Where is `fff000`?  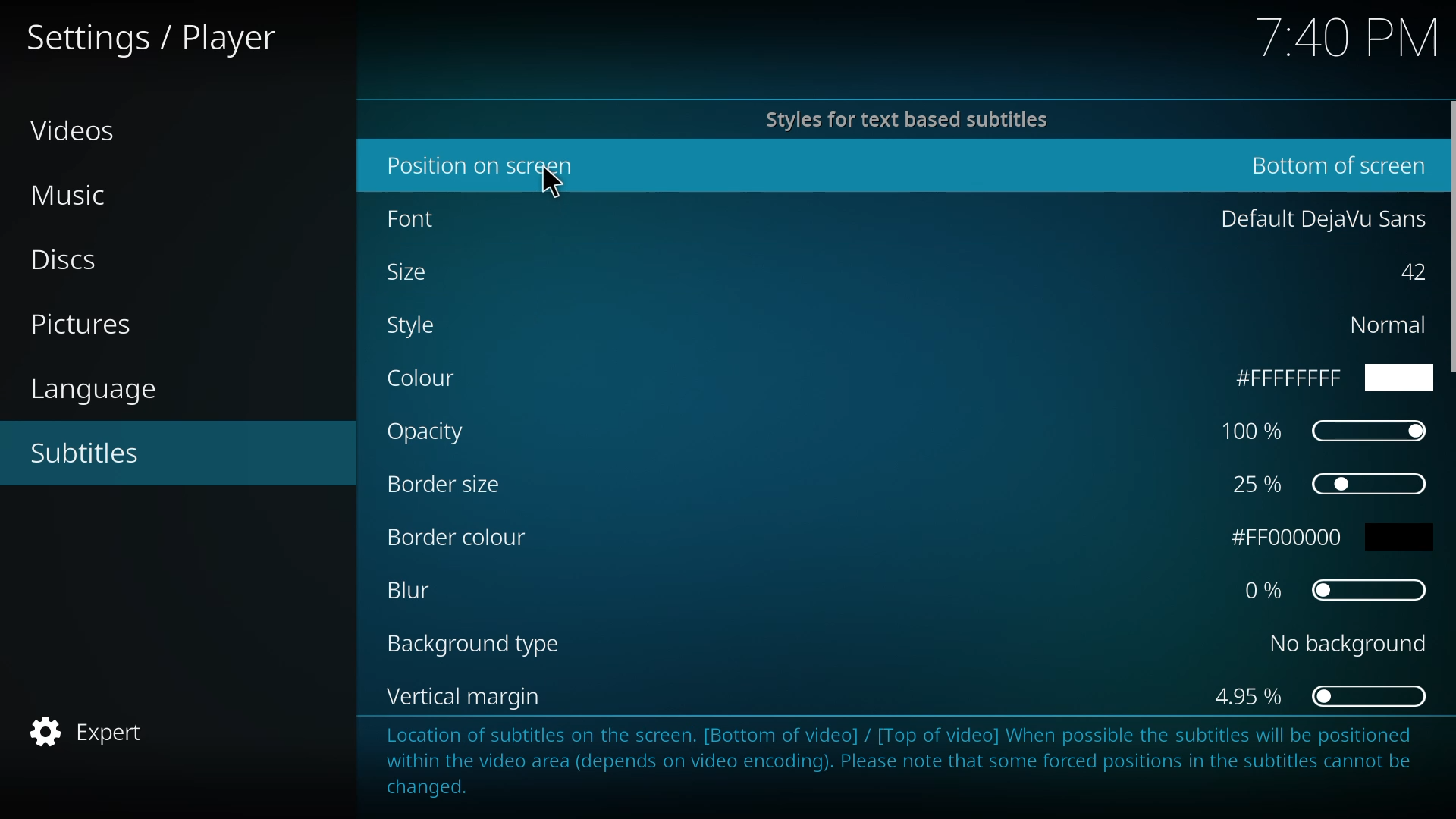
fff000 is located at coordinates (1339, 538).